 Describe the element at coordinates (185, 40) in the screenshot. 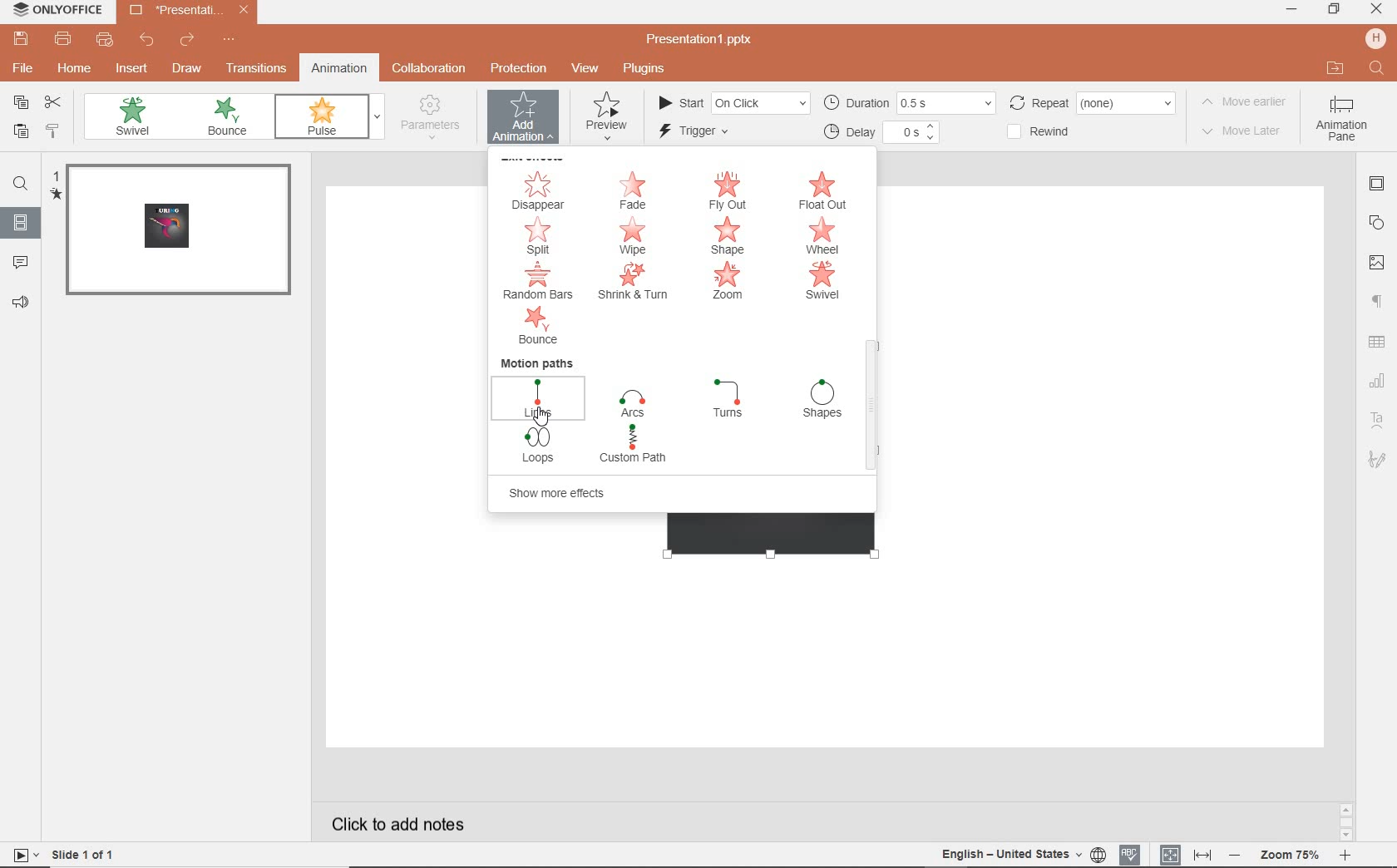

I see `redo` at that location.